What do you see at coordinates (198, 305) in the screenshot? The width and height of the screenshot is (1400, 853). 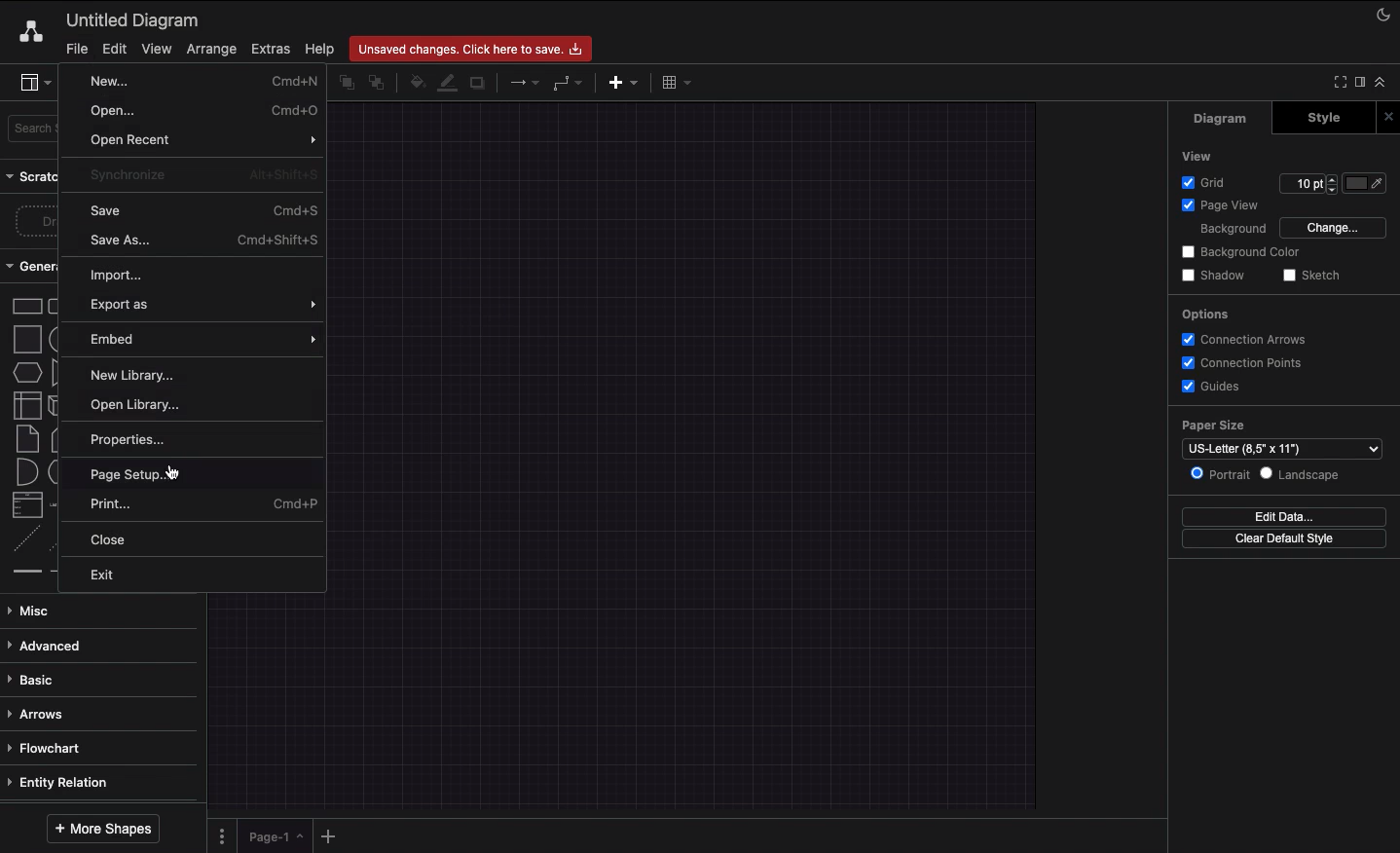 I see `Export as` at bounding box center [198, 305].